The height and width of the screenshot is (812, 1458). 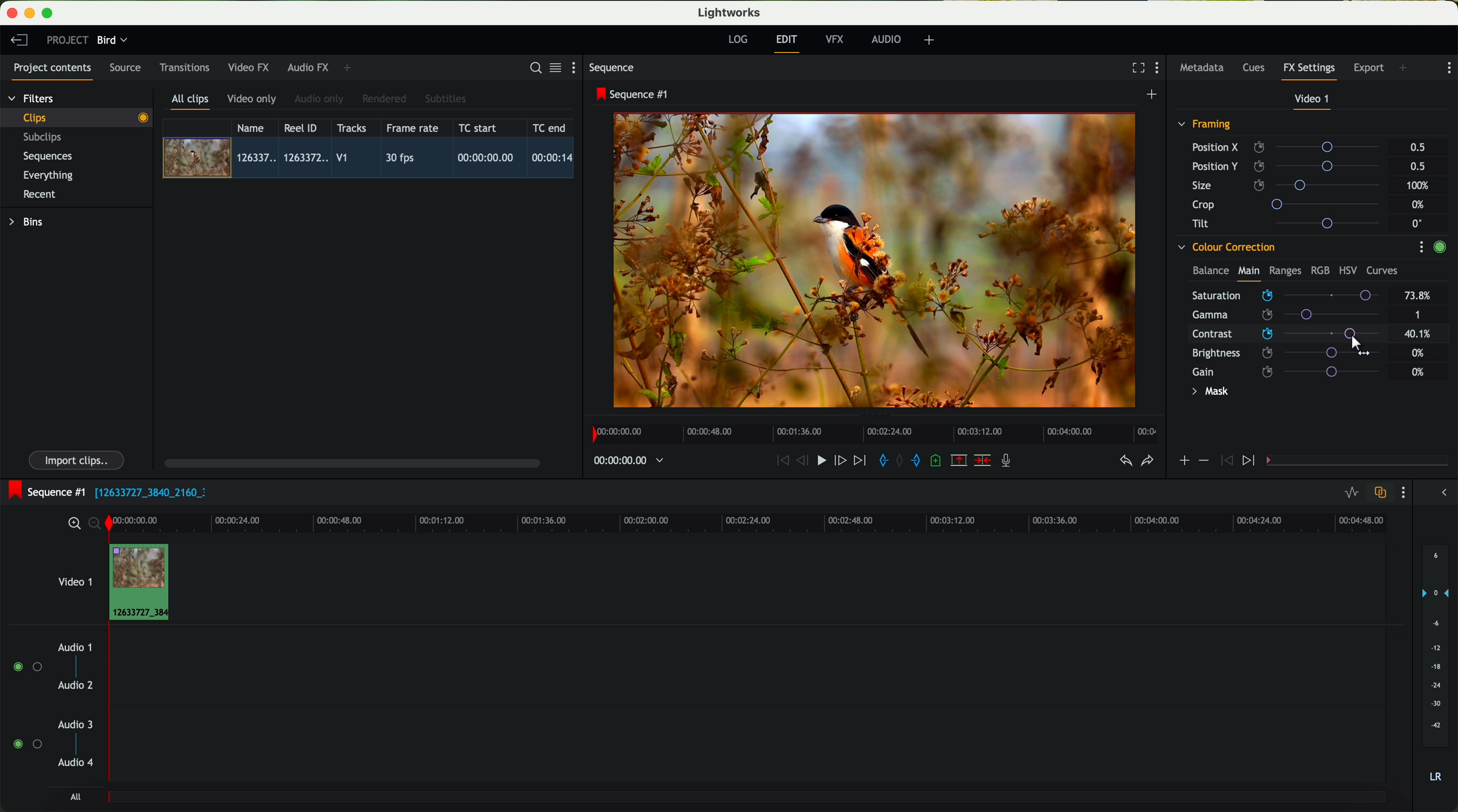 What do you see at coordinates (191, 102) in the screenshot?
I see `all clips` at bounding box center [191, 102].